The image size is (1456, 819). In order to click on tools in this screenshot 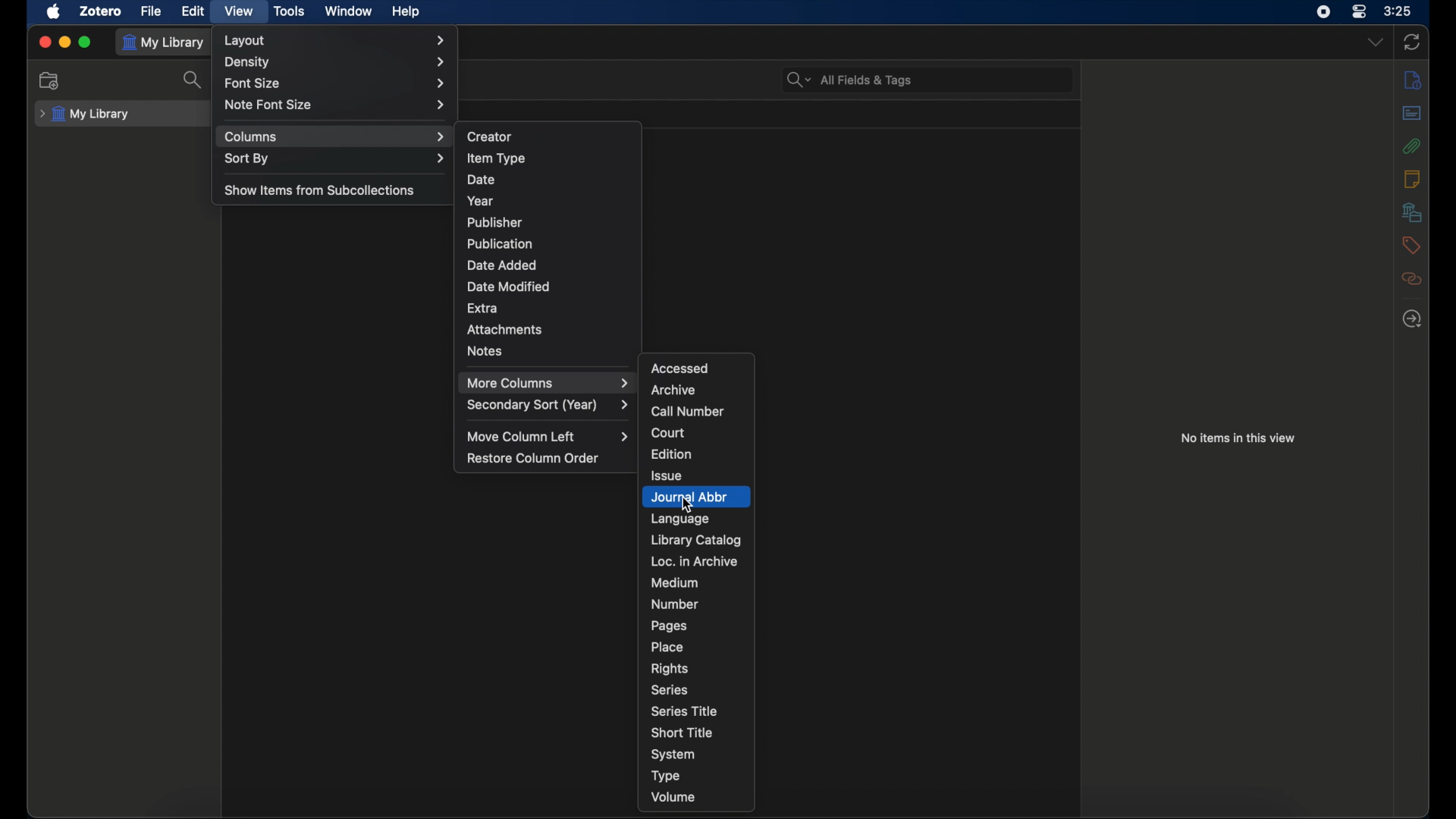, I will do `click(290, 11)`.